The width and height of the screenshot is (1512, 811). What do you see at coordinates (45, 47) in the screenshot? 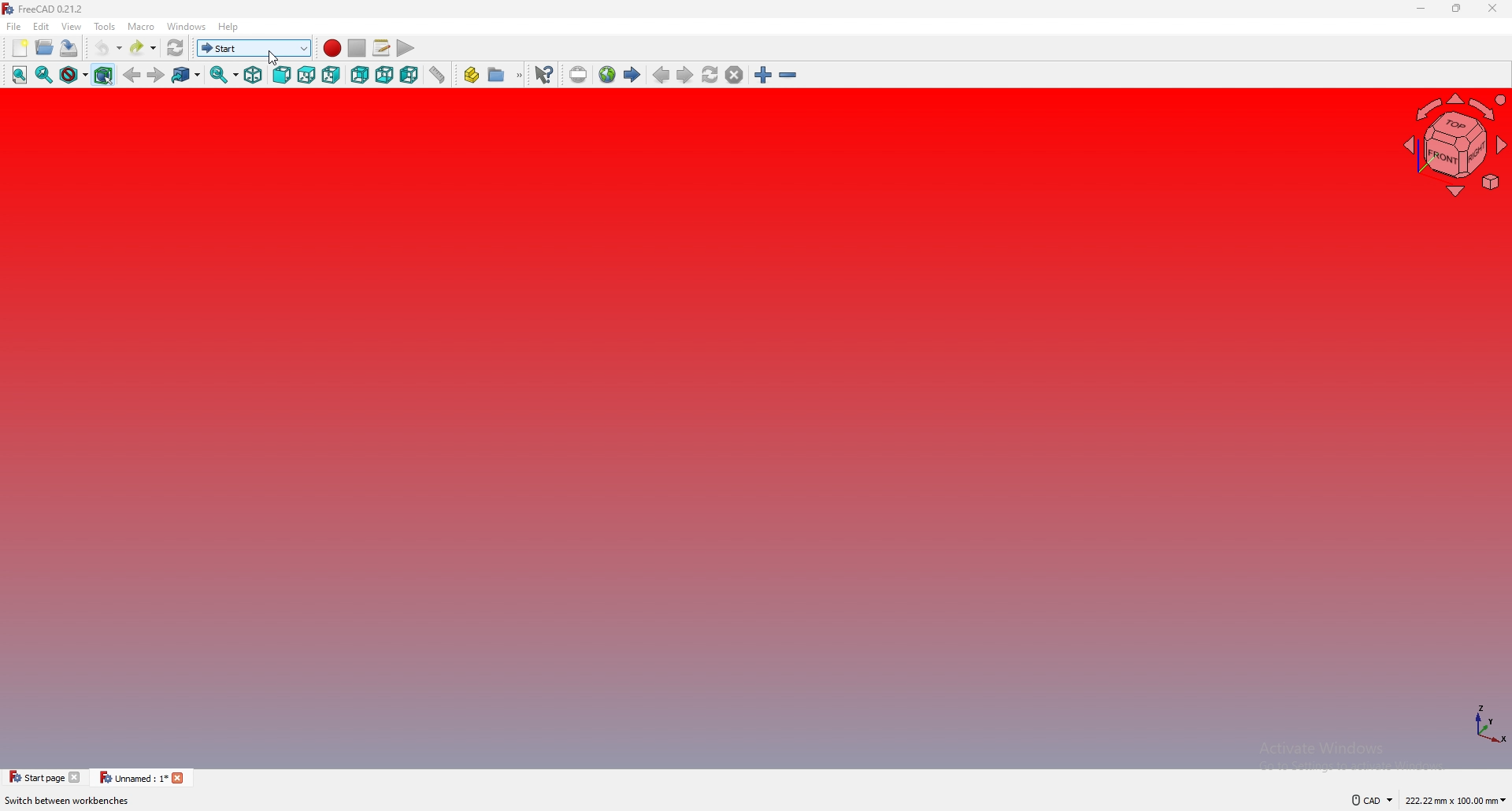
I see `open` at bounding box center [45, 47].